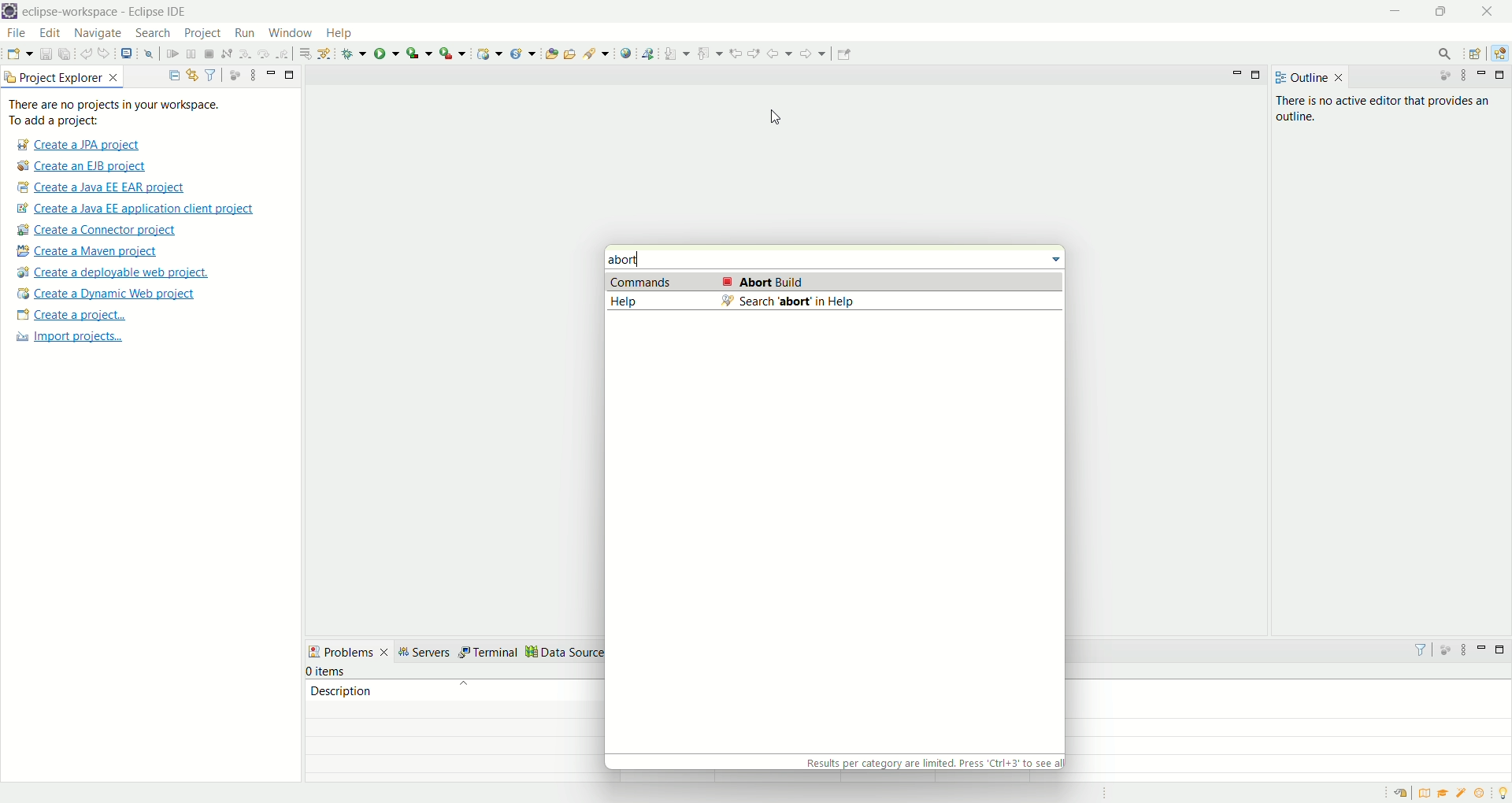 The width and height of the screenshot is (1512, 803). Describe the element at coordinates (589, 653) in the screenshot. I see `data source explorer` at that location.